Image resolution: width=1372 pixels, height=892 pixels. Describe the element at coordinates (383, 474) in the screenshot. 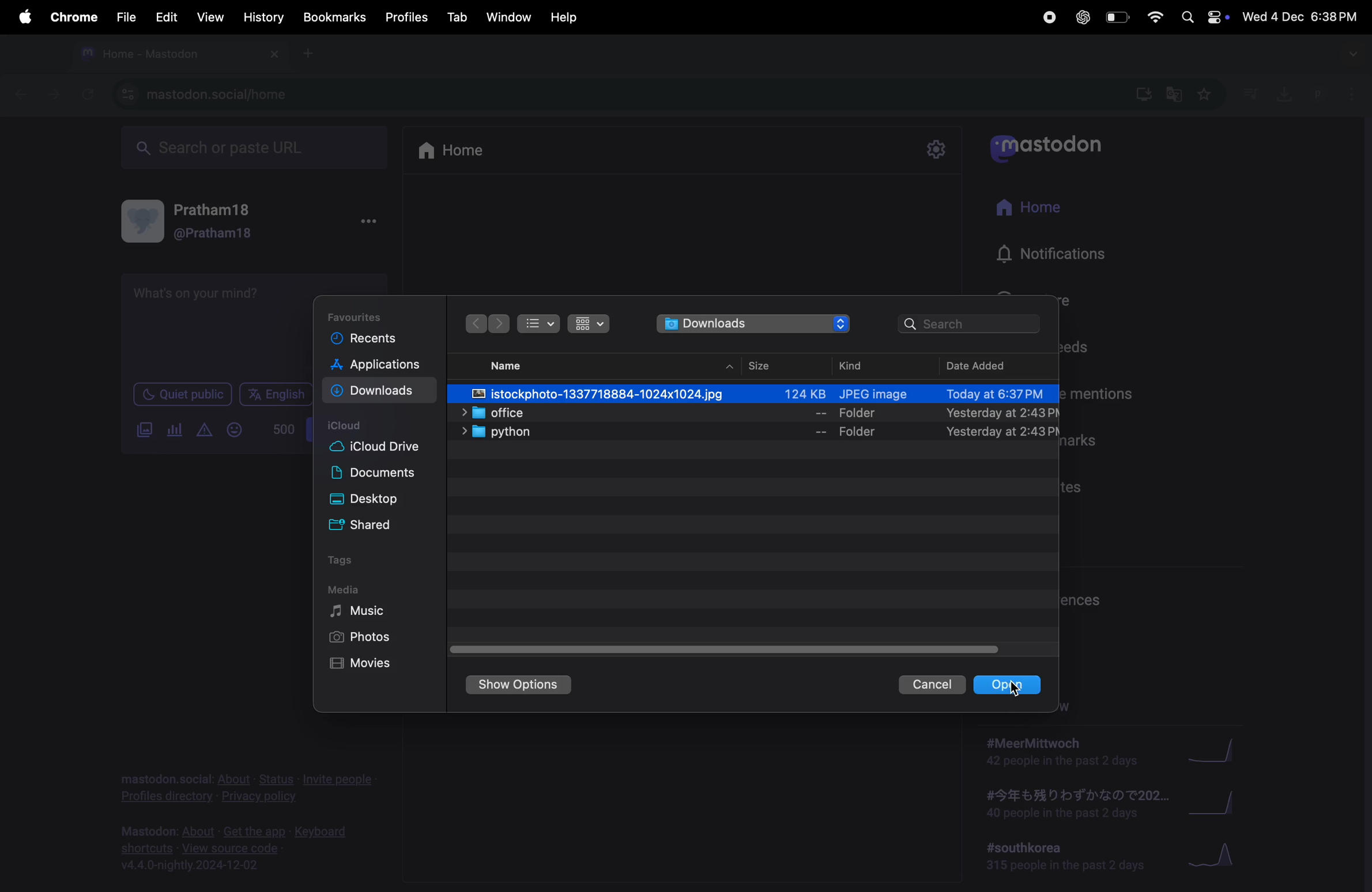

I see `documents` at that location.